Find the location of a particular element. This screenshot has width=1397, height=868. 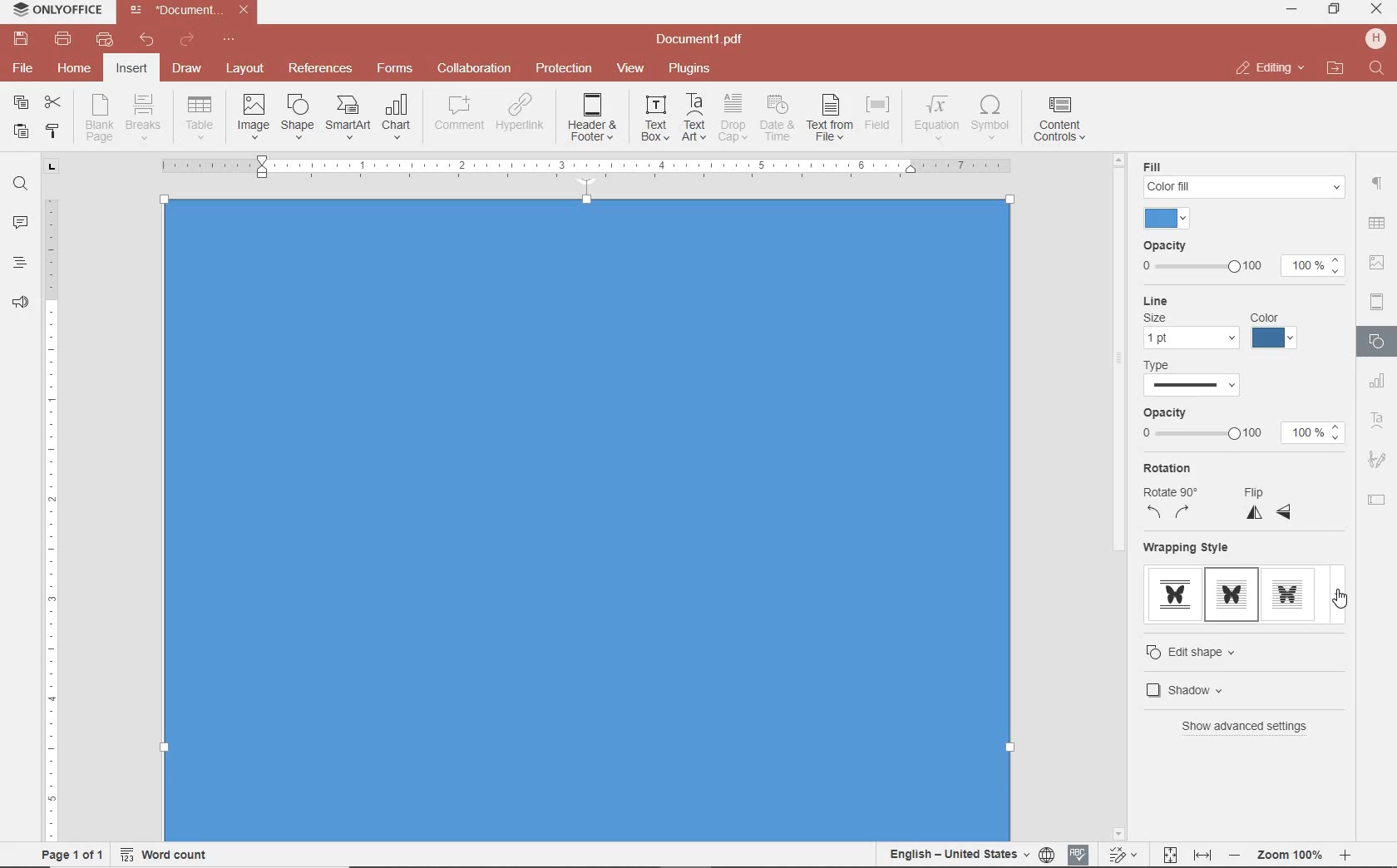

TYPE is located at coordinates (1208, 377).